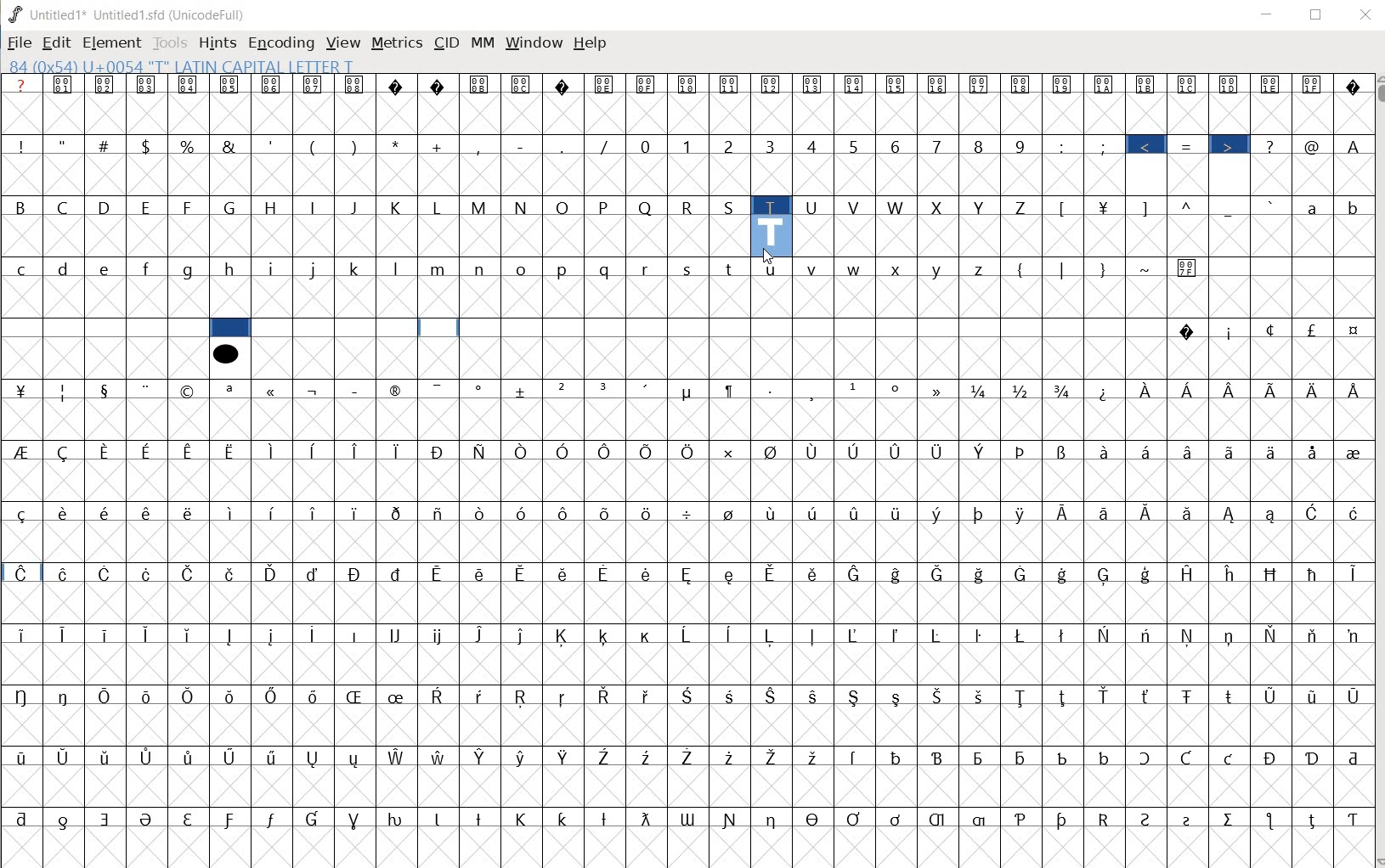 This screenshot has height=868, width=1385. Describe the element at coordinates (896, 512) in the screenshot. I see `Symbol` at that location.